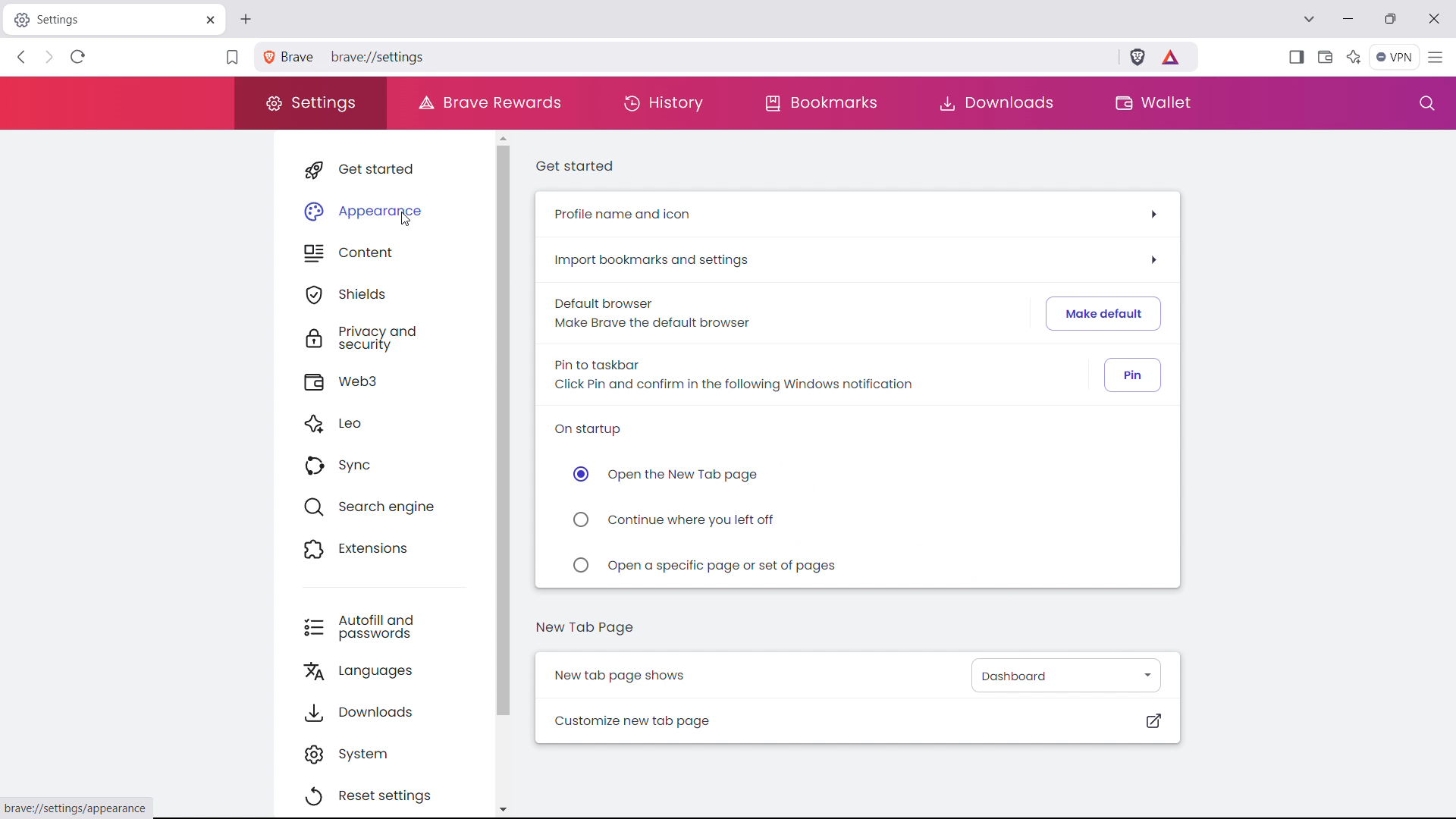  Describe the element at coordinates (1395, 56) in the screenshot. I see `vpn` at that location.